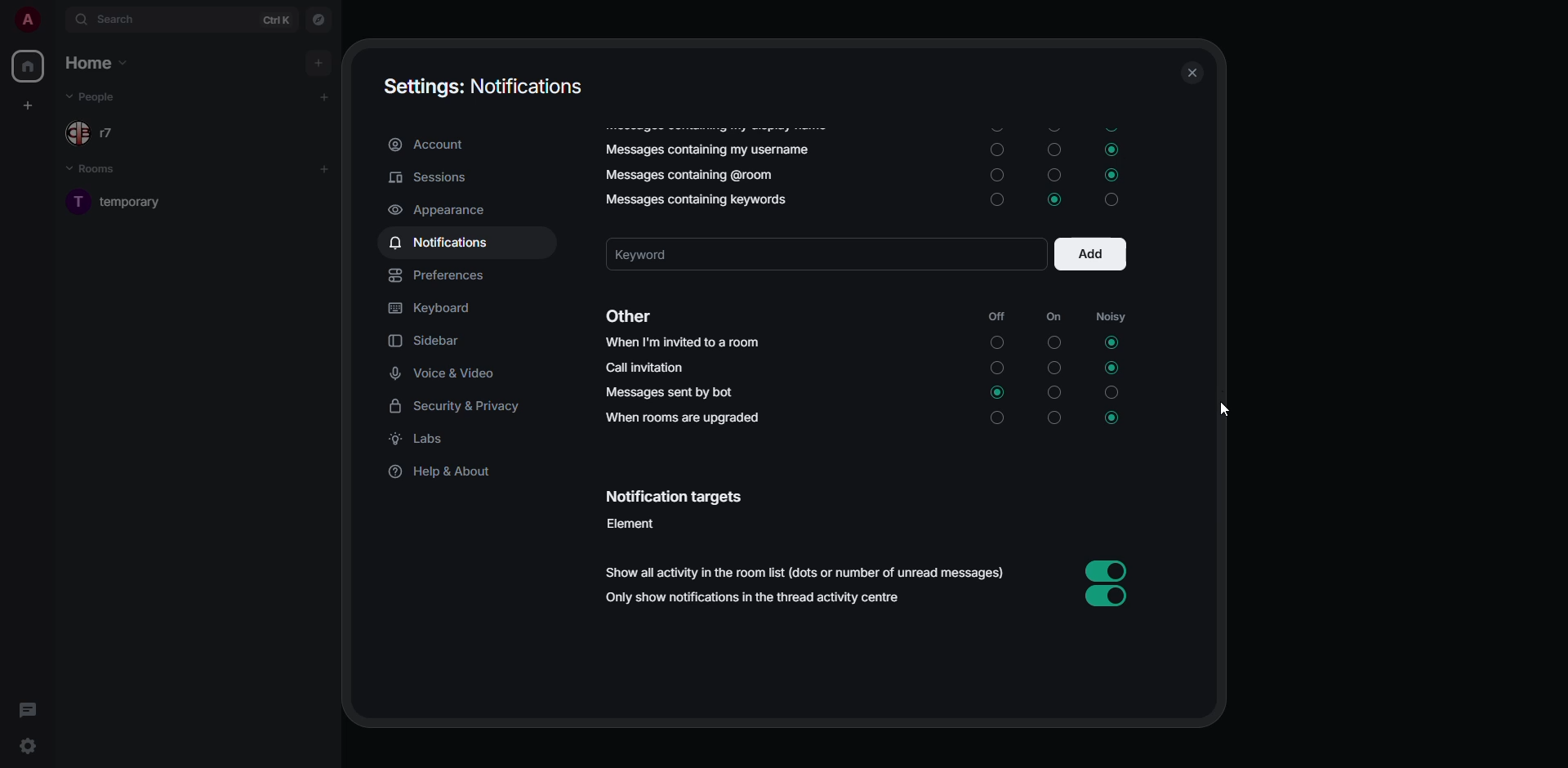  What do you see at coordinates (24, 20) in the screenshot?
I see `profile` at bounding box center [24, 20].